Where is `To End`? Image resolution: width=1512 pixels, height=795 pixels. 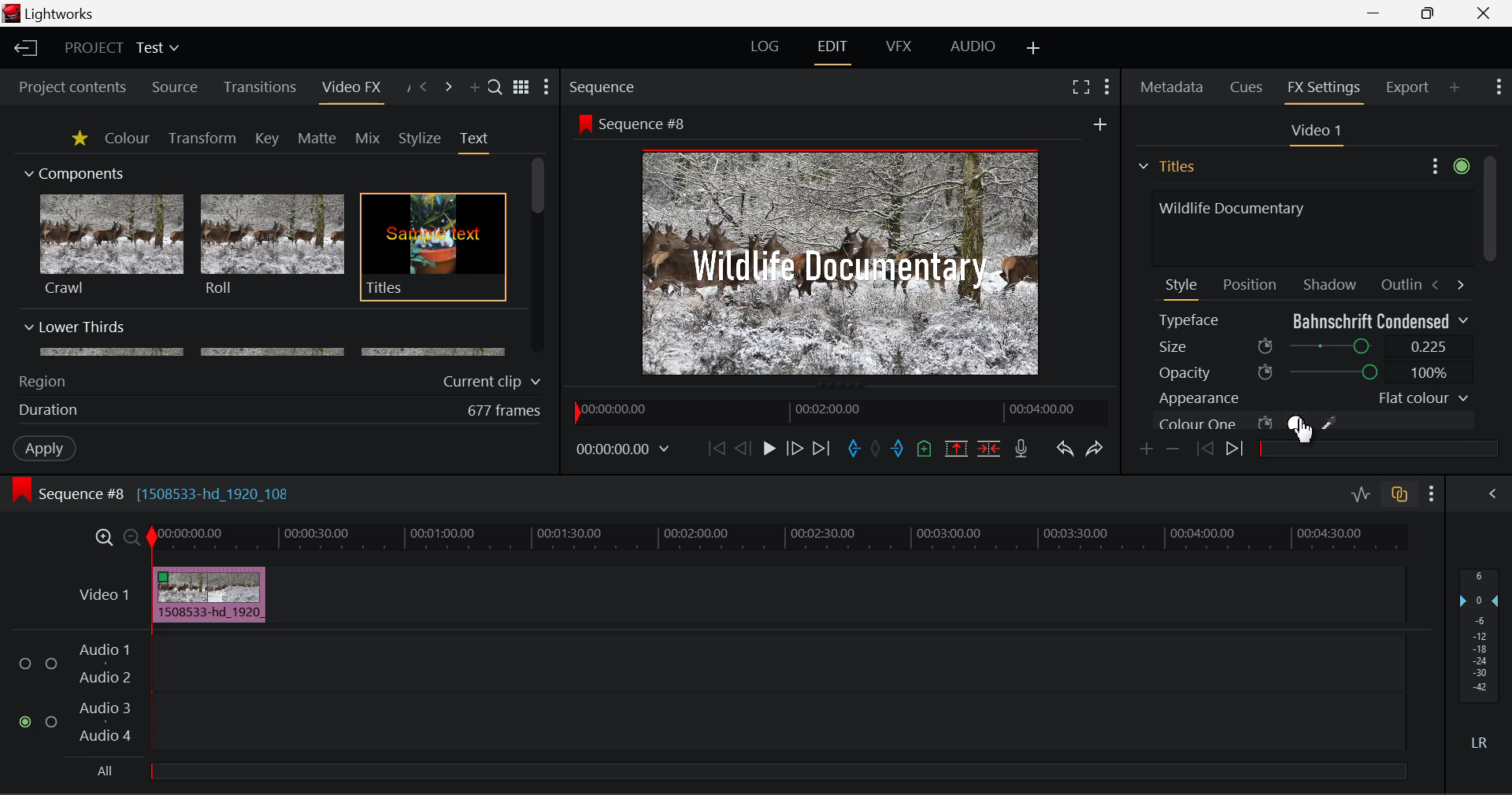 To End is located at coordinates (822, 451).